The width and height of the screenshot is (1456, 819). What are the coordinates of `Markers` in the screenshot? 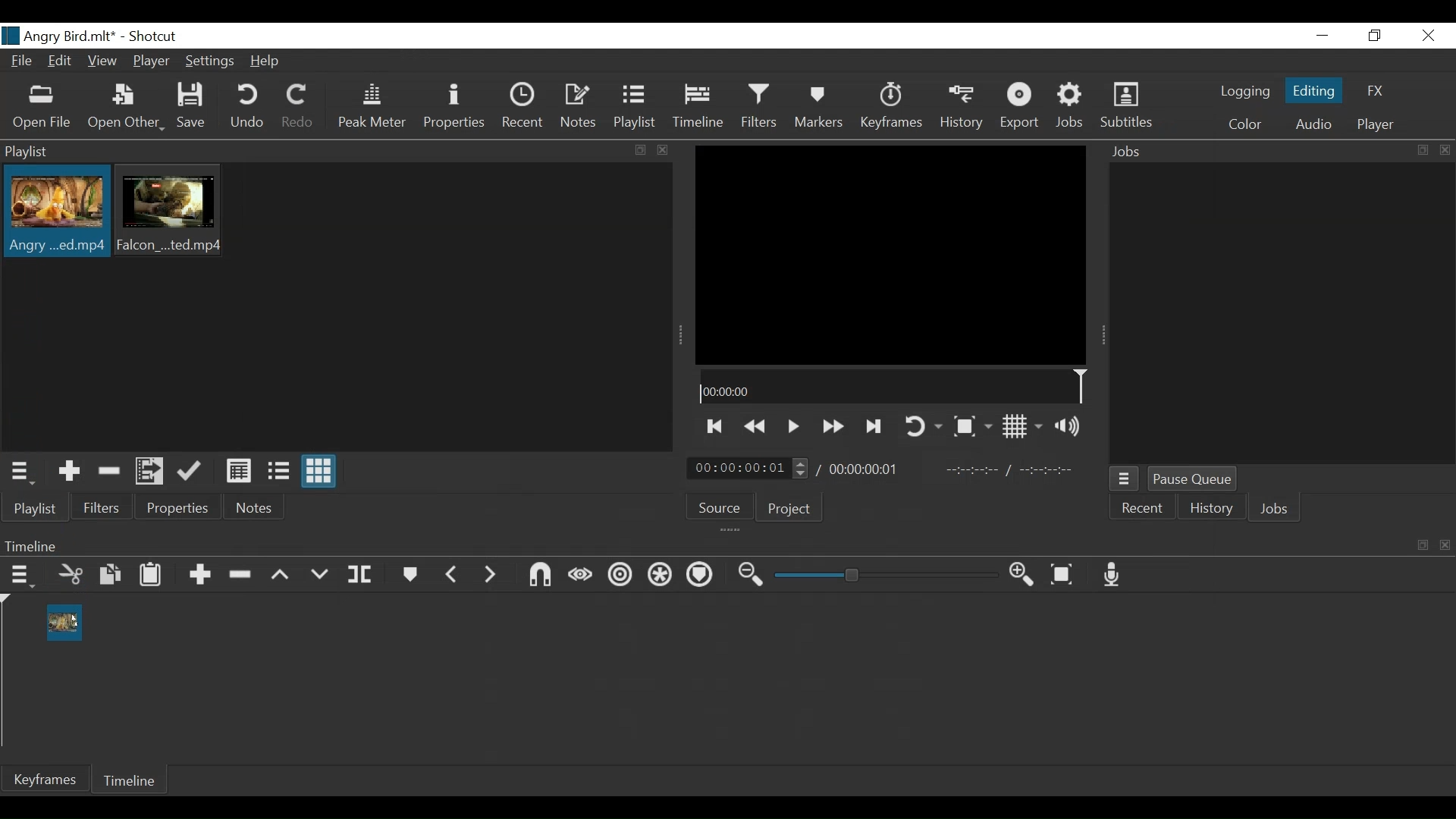 It's located at (818, 106).